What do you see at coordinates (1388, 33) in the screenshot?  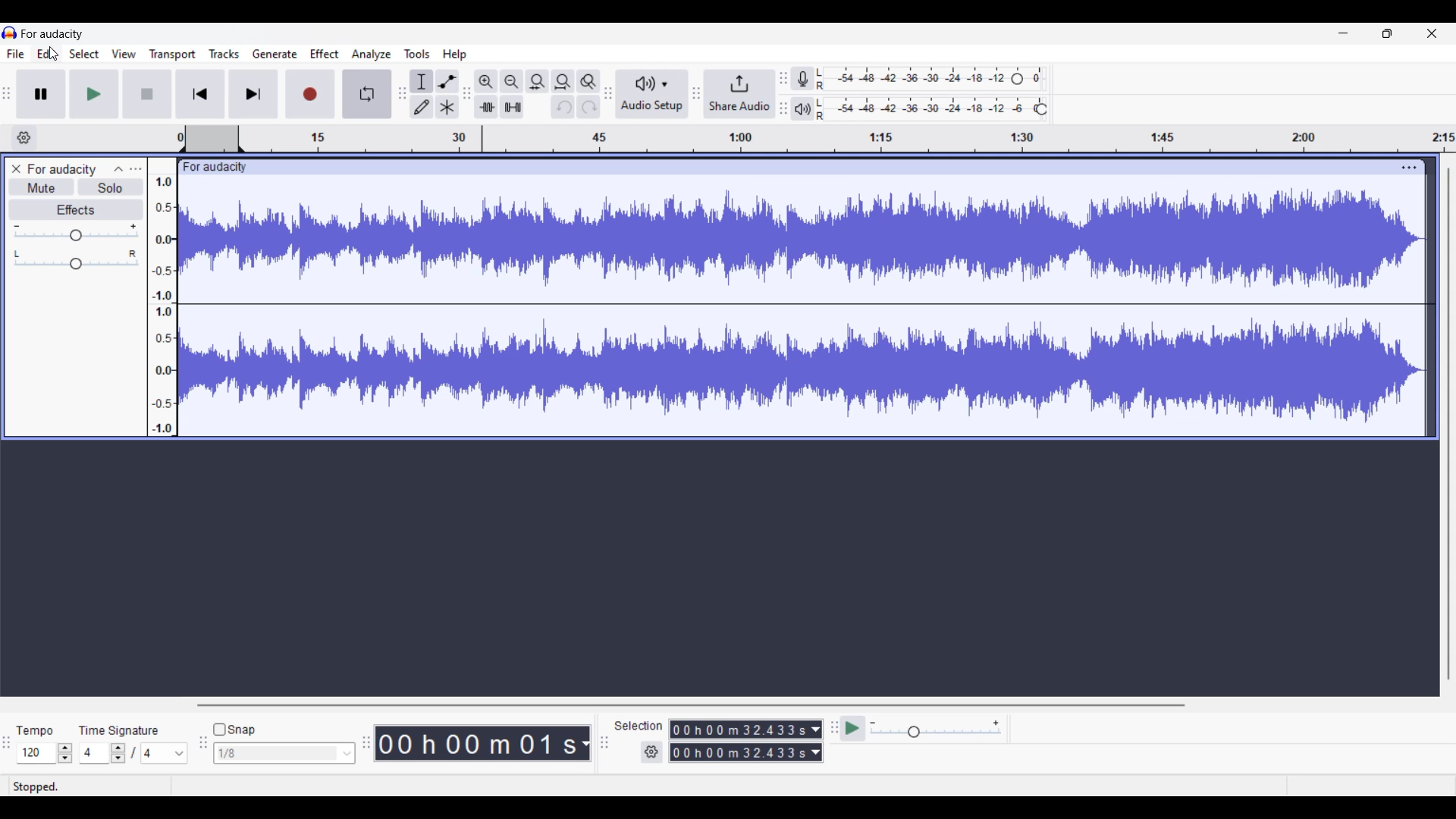 I see `Show in smaller tab` at bounding box center [1388, 33].